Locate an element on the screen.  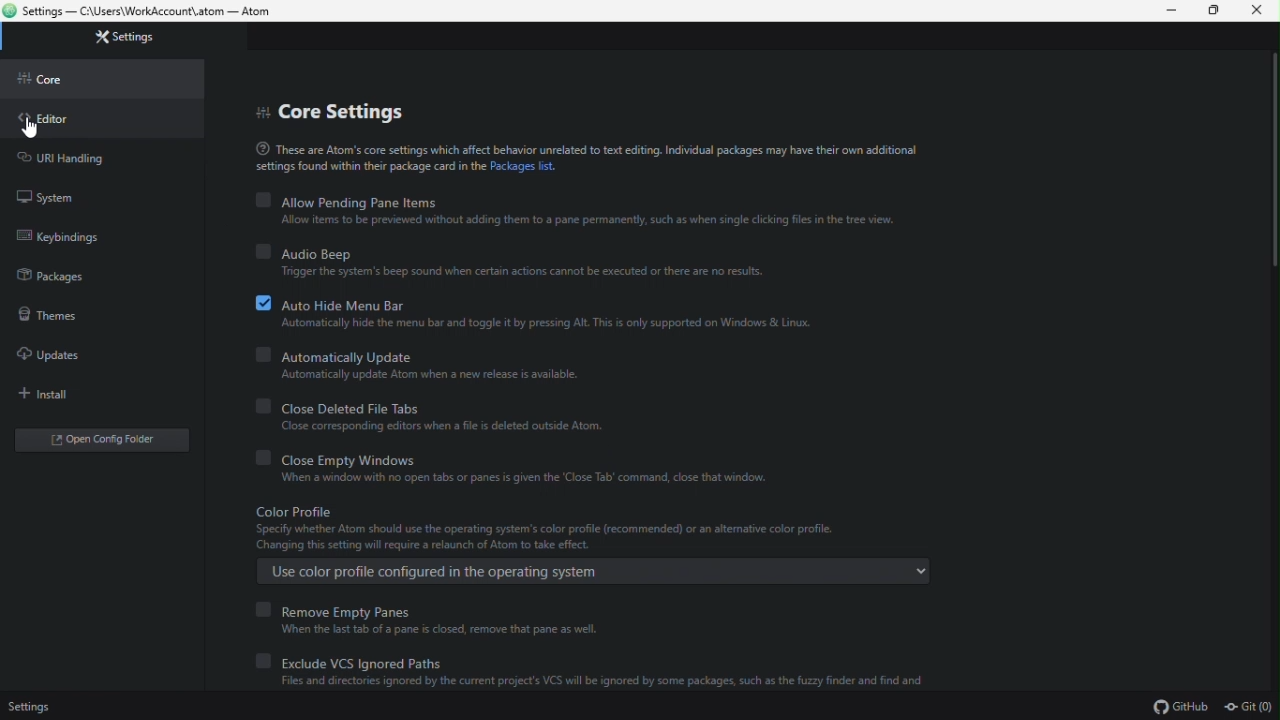
Auto hide menu bar is located at coordinates (538, 304).